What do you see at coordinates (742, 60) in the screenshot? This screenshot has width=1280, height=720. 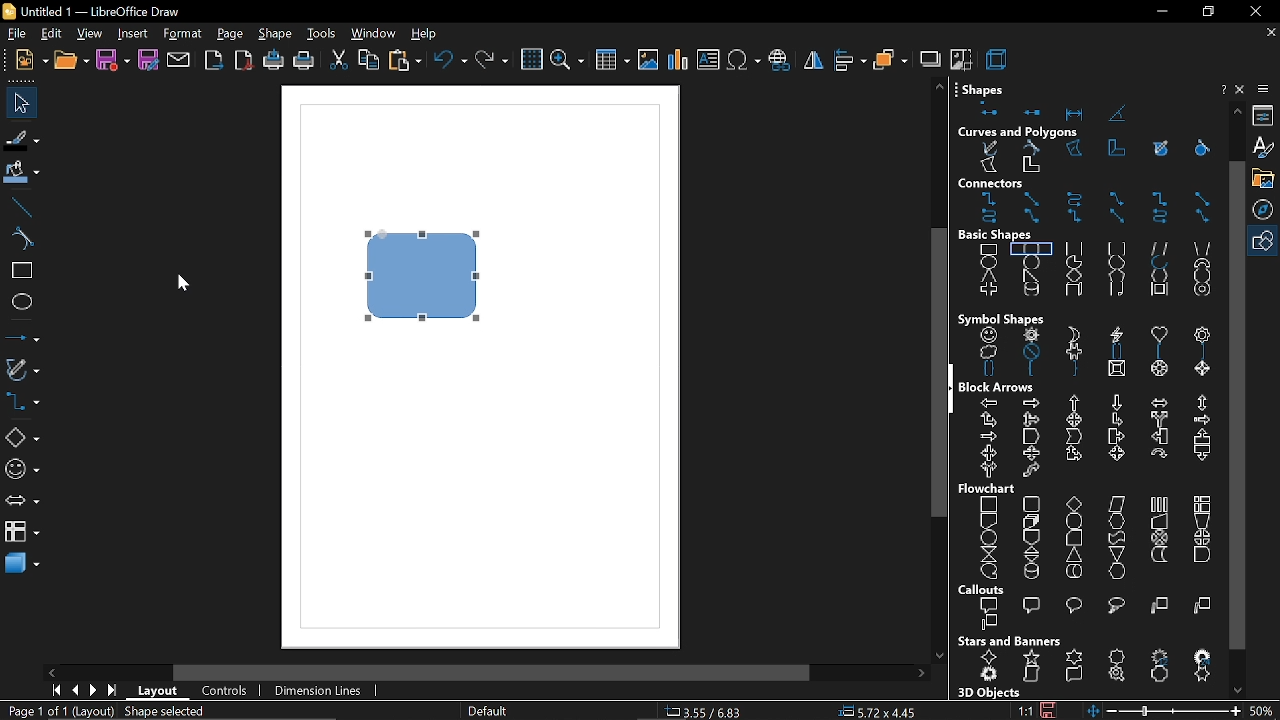 I see `insert symbol` at bounding box center [742, 60].